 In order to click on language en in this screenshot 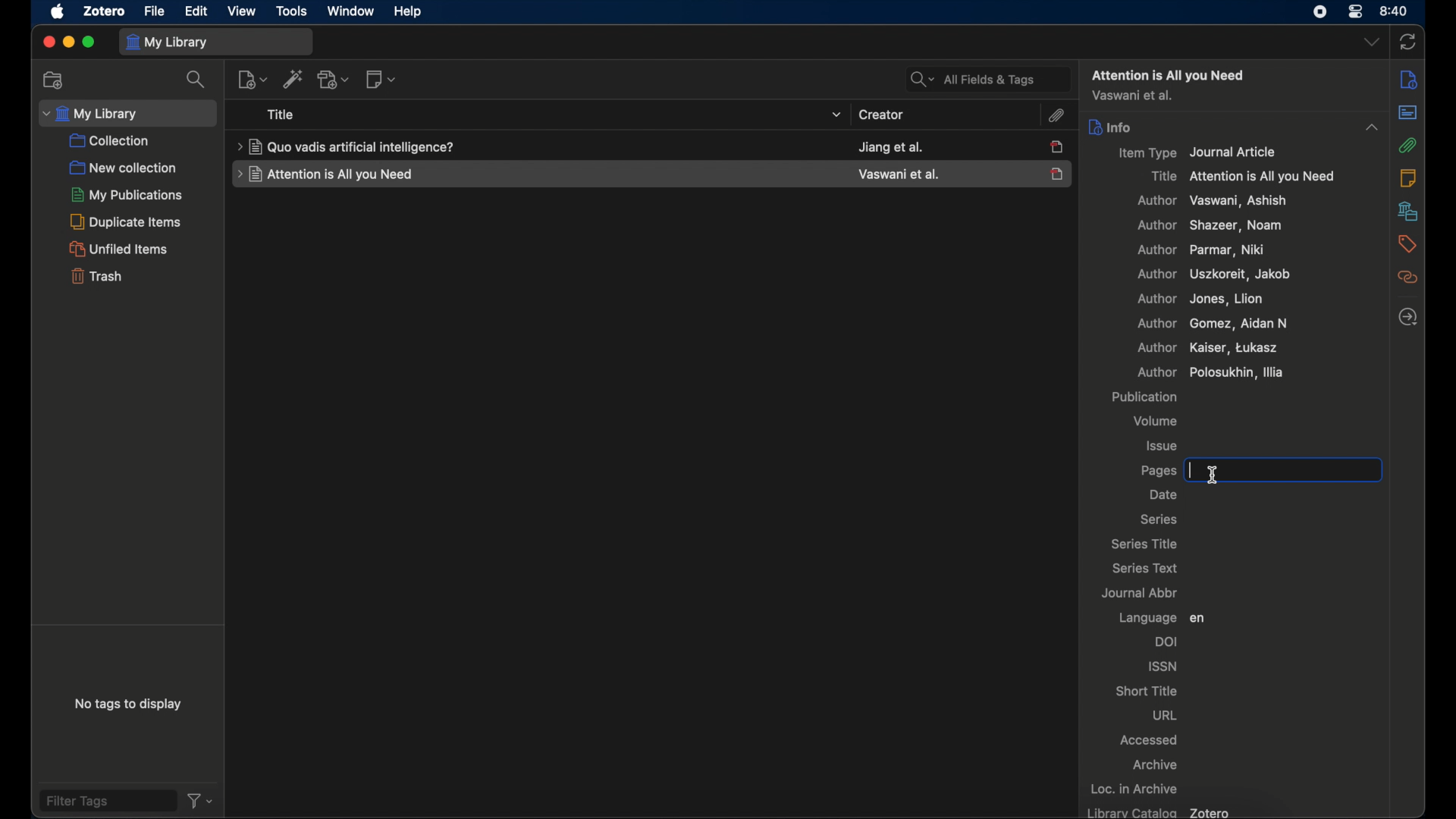, I will do `click(1161, 617)`.